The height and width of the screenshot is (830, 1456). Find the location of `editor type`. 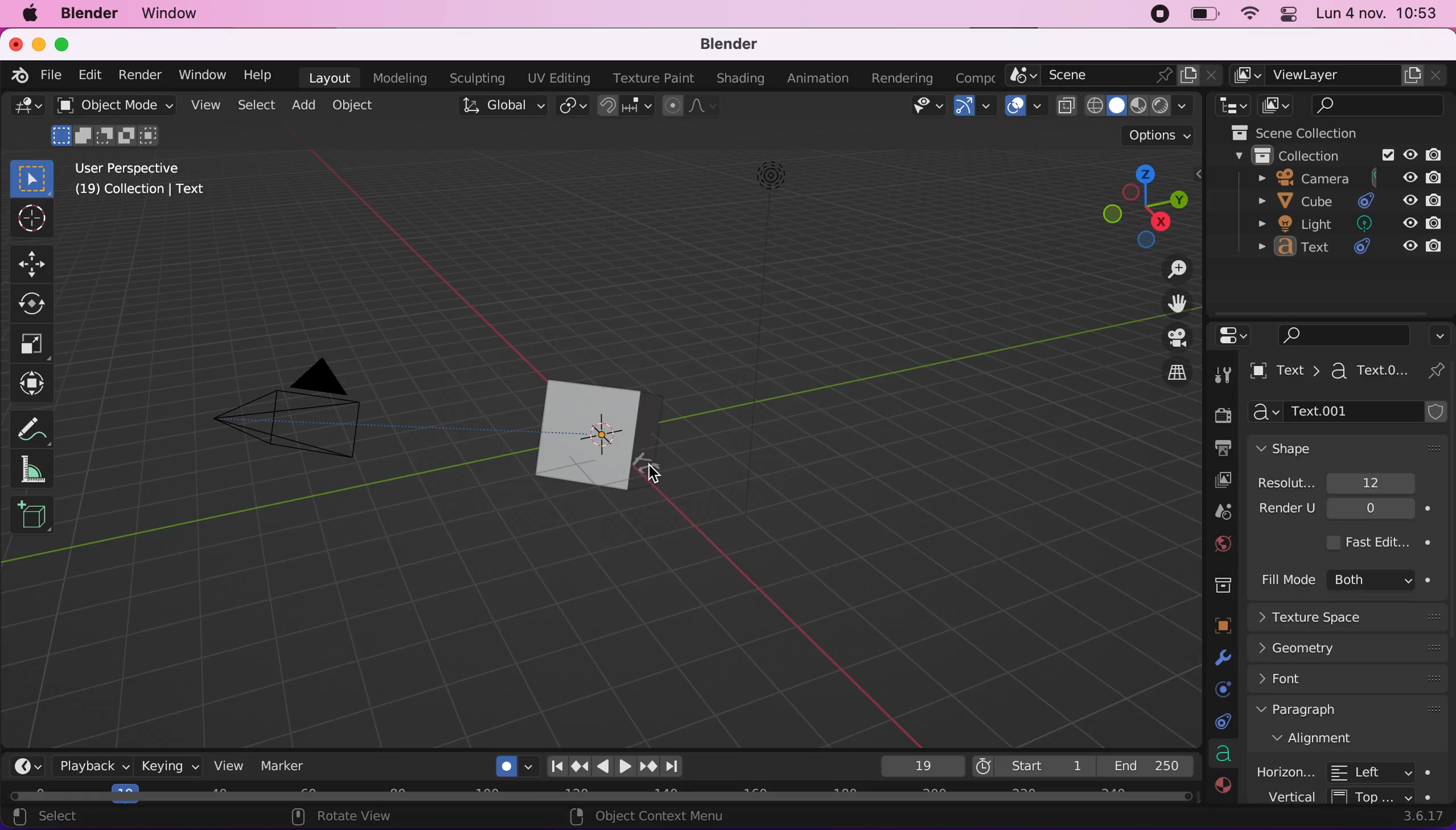

editor type is located at coordinates (24, 108).